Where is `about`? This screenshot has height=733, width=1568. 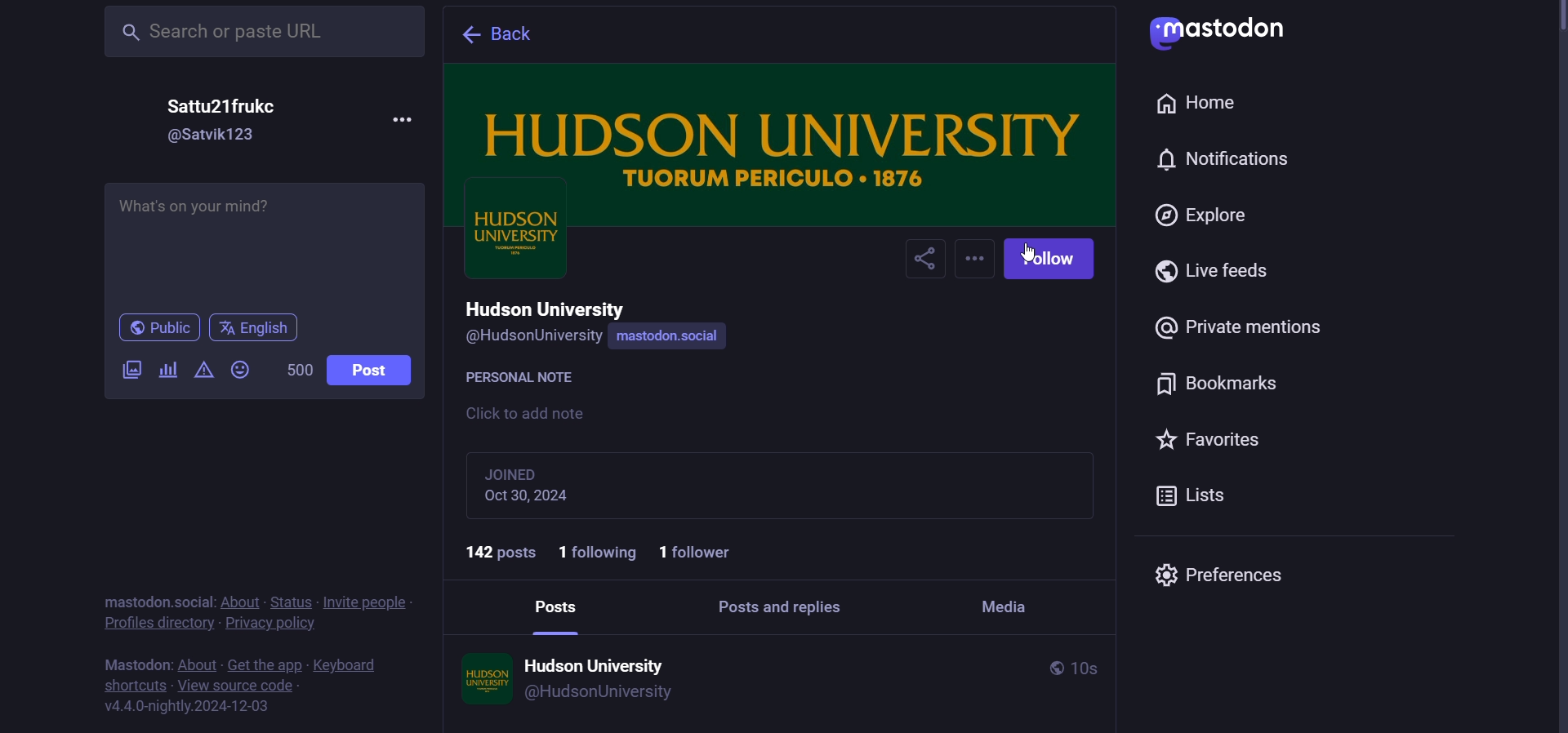 about is located at coordinates (240, 602).